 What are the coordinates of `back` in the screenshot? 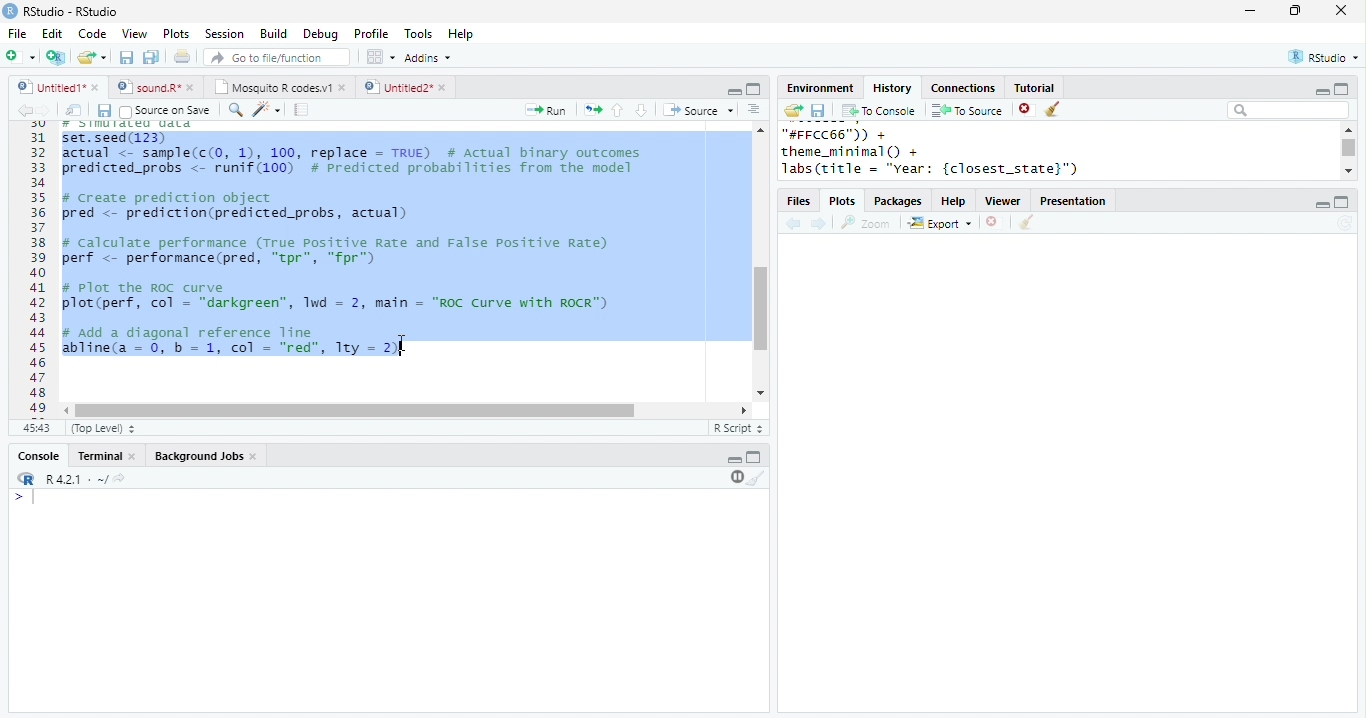 It's located at (793, 225).